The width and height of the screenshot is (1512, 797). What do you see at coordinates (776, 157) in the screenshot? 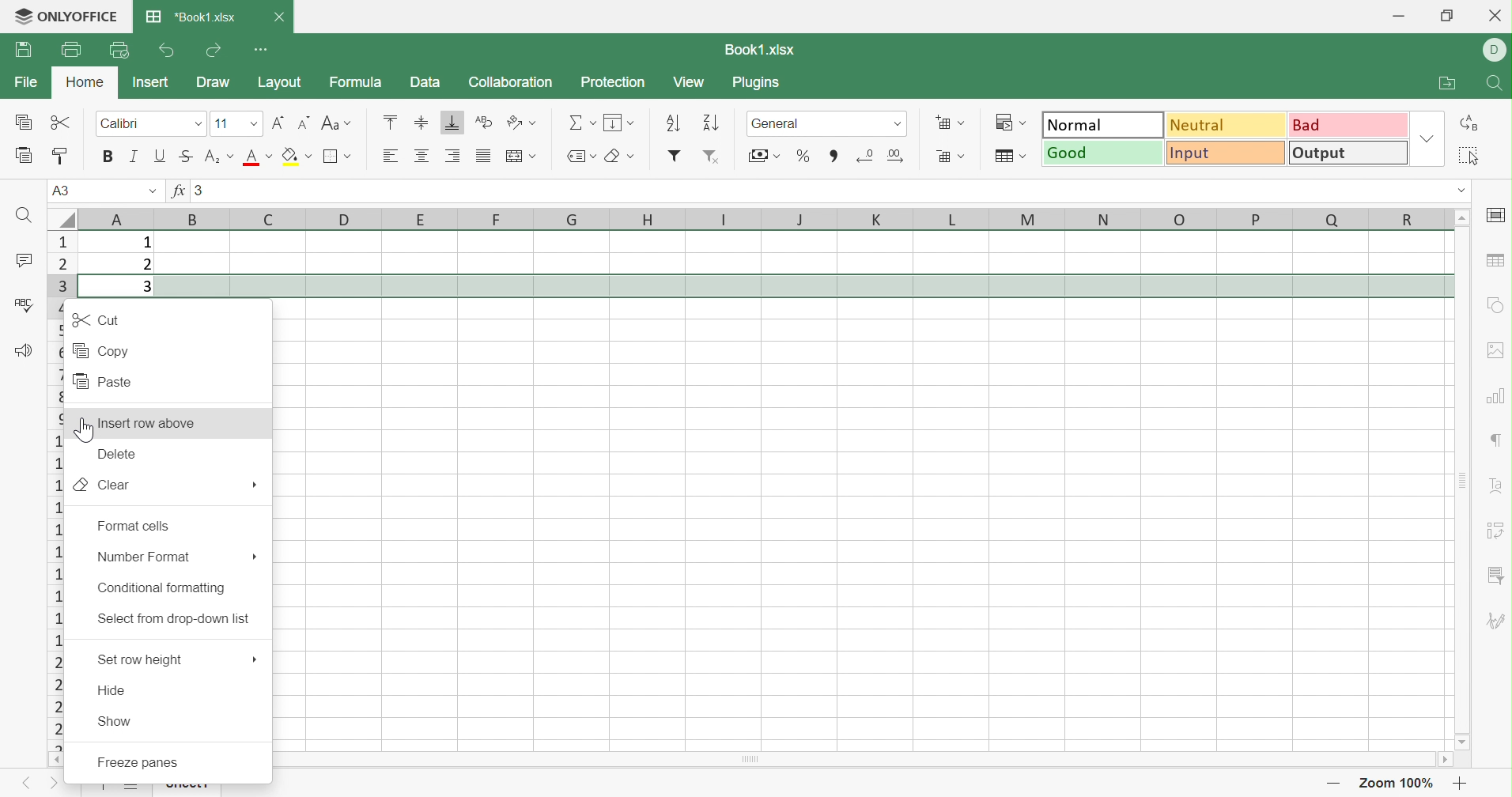
I see `Drop Down` at bounding box center [776, 157].